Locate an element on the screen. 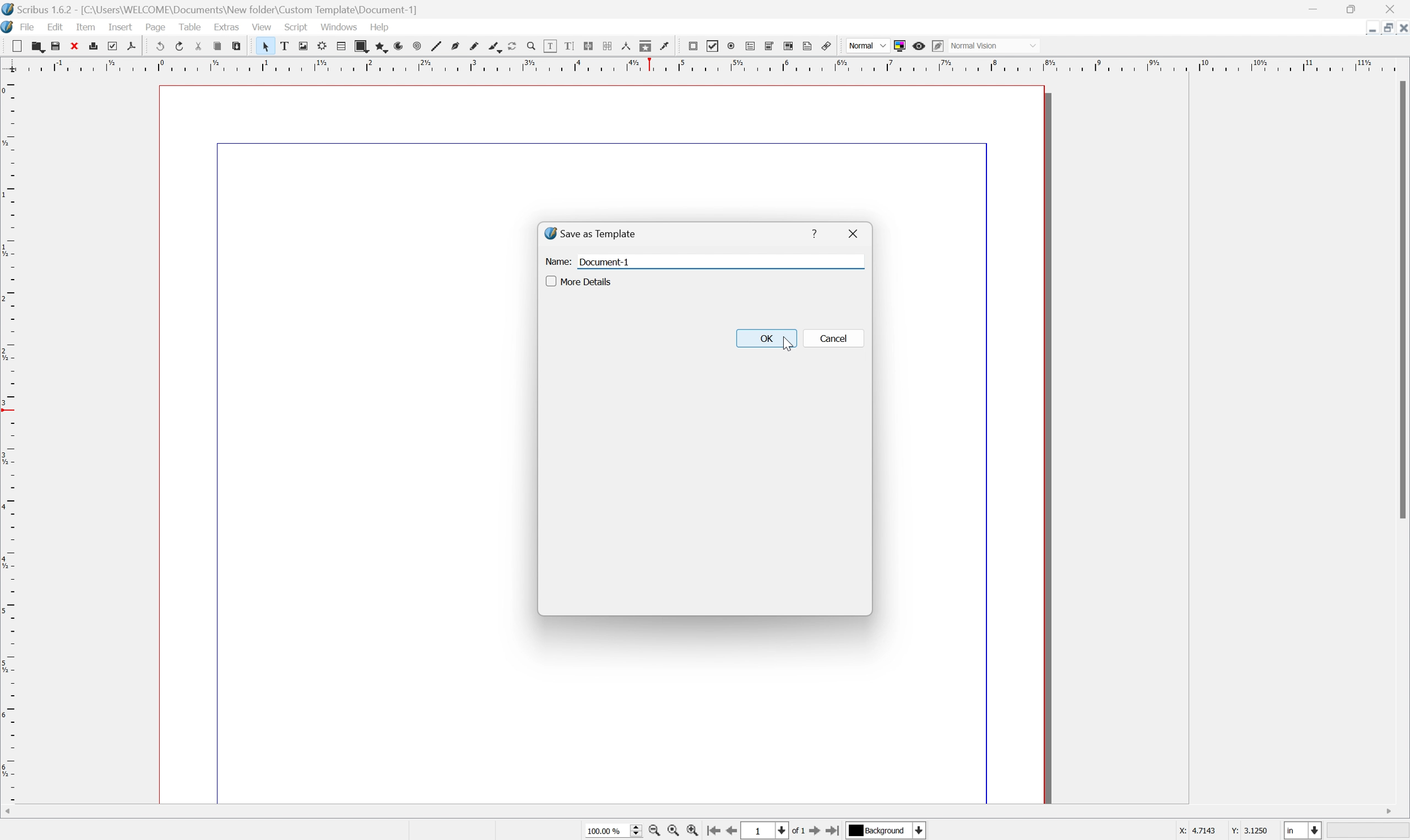 This screenshot has width=1410, height=840. edit text with story editor is located at coordinates (569, 45).